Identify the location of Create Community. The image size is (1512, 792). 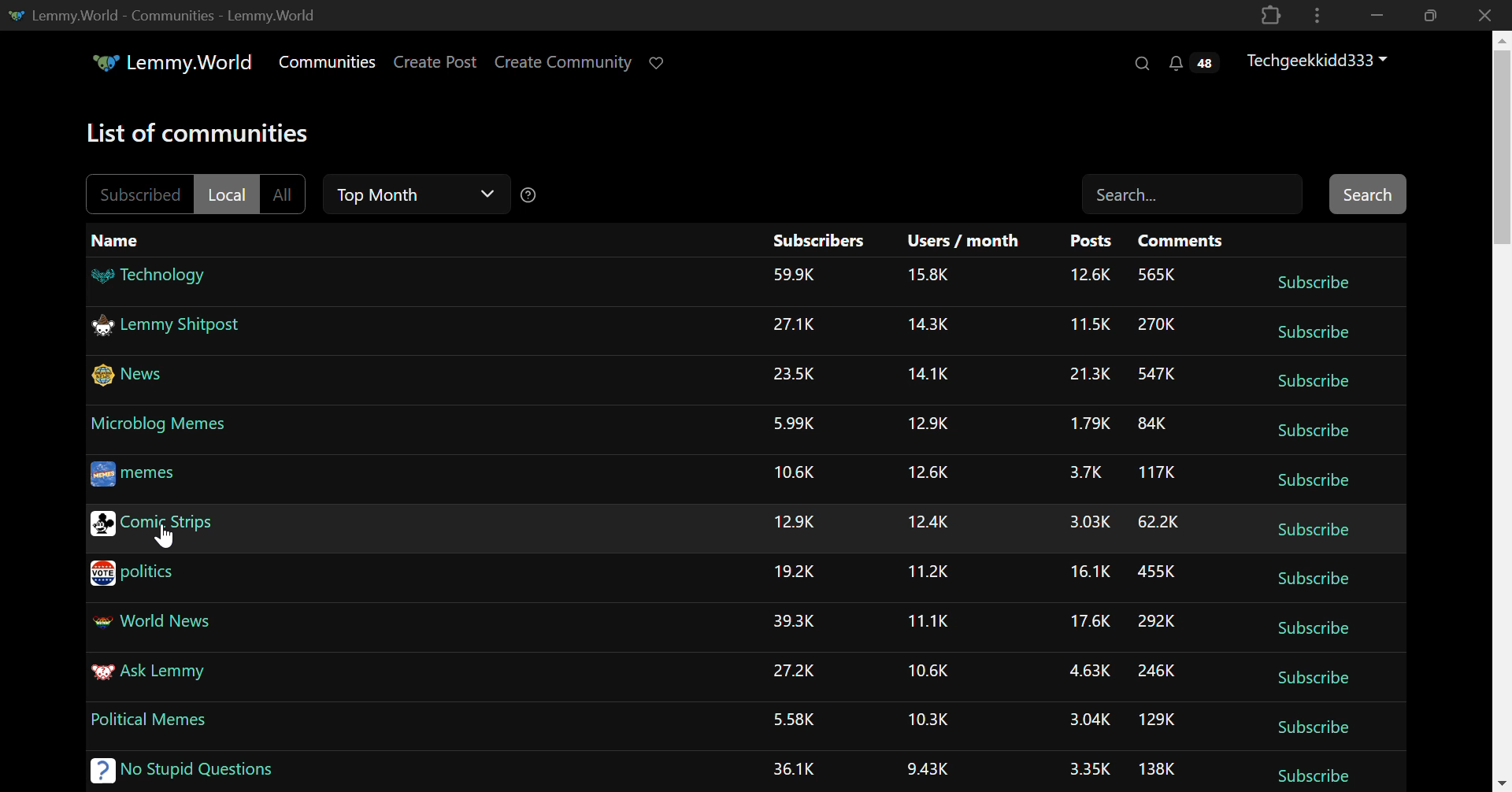
(564, 63).